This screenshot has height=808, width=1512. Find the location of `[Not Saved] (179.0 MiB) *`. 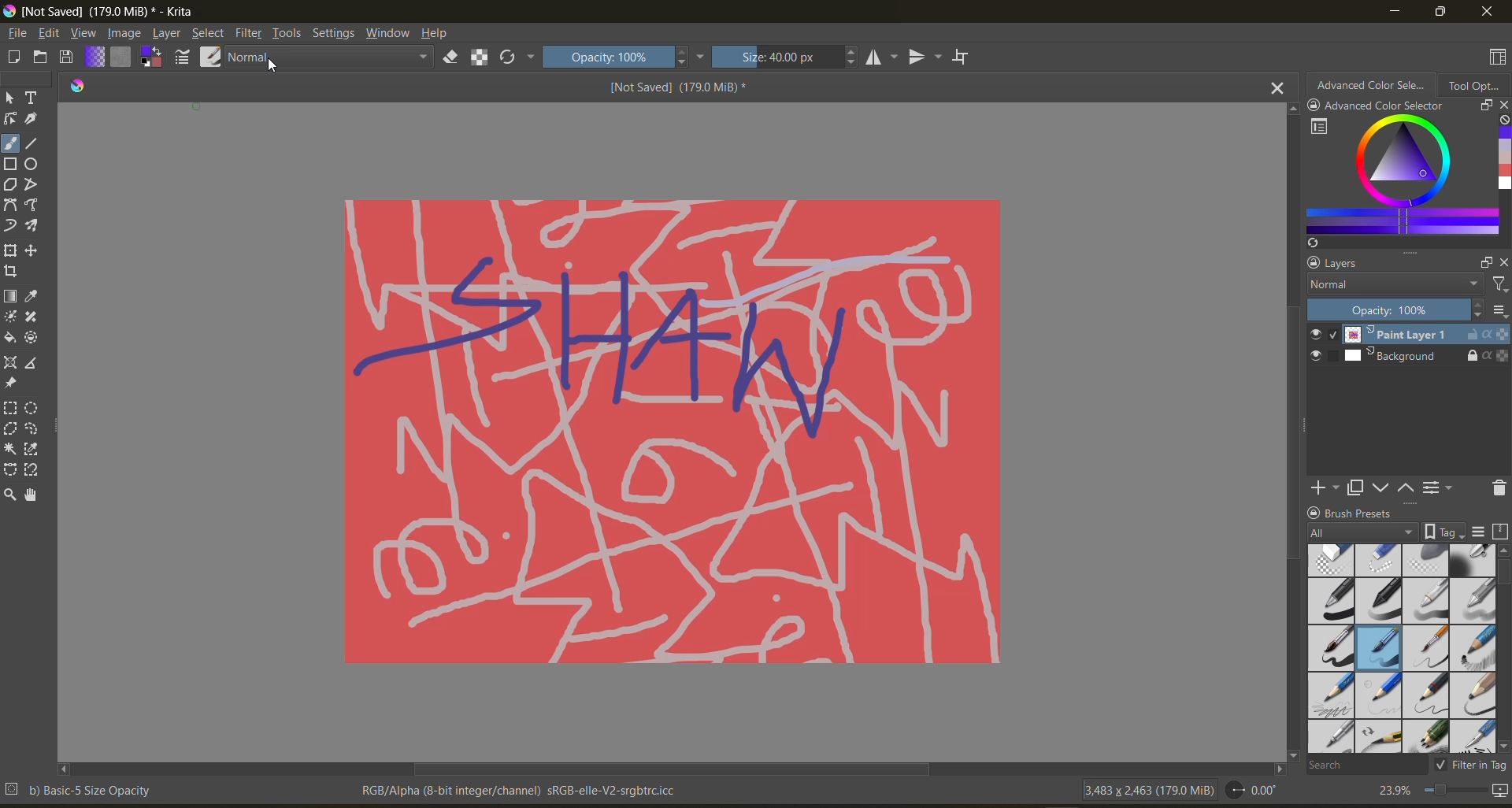

[Not Saved] (179.0 MiB) * is located at coordinates (677, 87).